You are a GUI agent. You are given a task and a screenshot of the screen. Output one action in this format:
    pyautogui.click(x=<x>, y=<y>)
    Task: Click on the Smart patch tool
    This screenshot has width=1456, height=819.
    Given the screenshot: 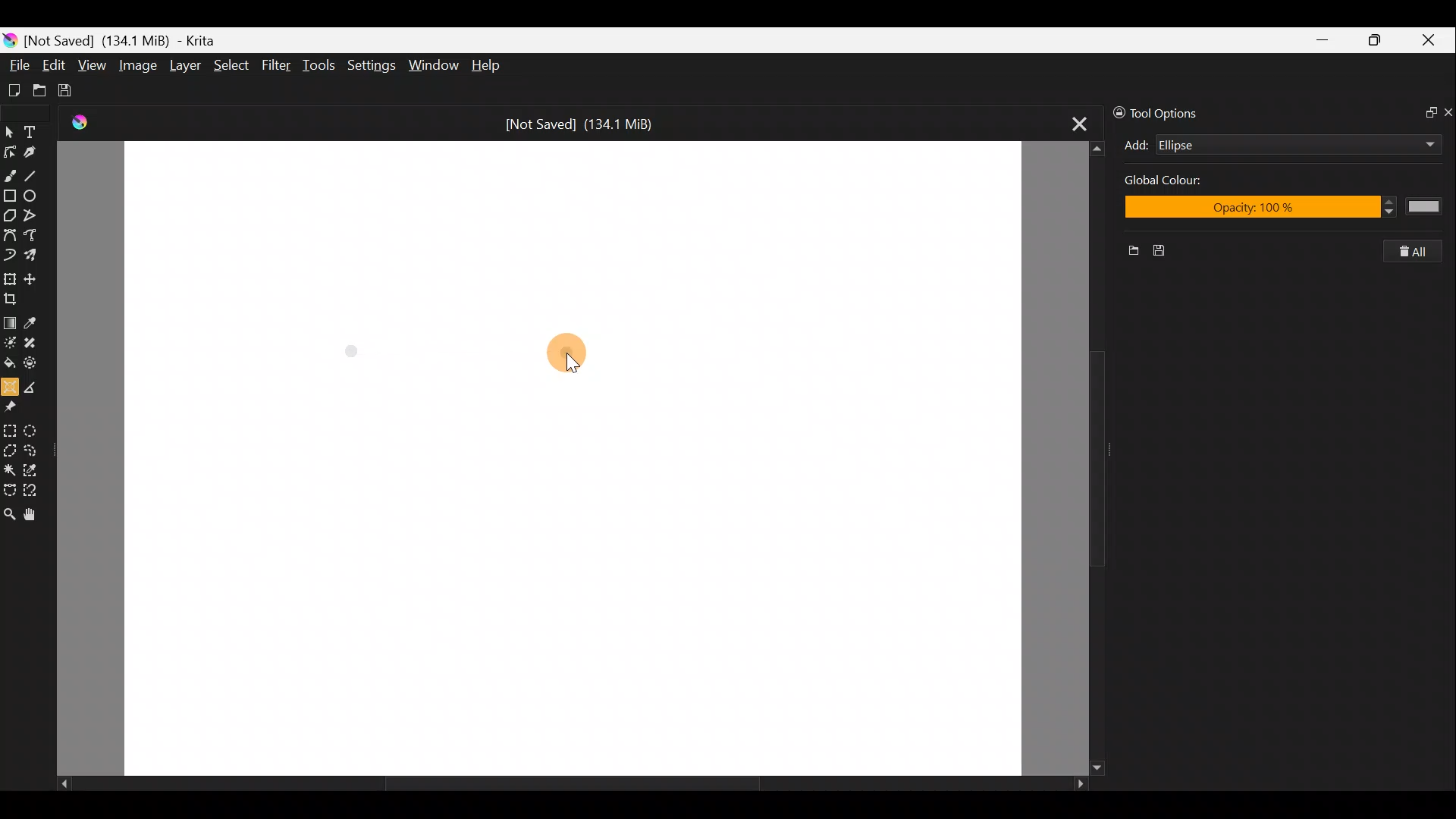 What is the action you would take?
    pyautogui.click(x=37, y=345)
    